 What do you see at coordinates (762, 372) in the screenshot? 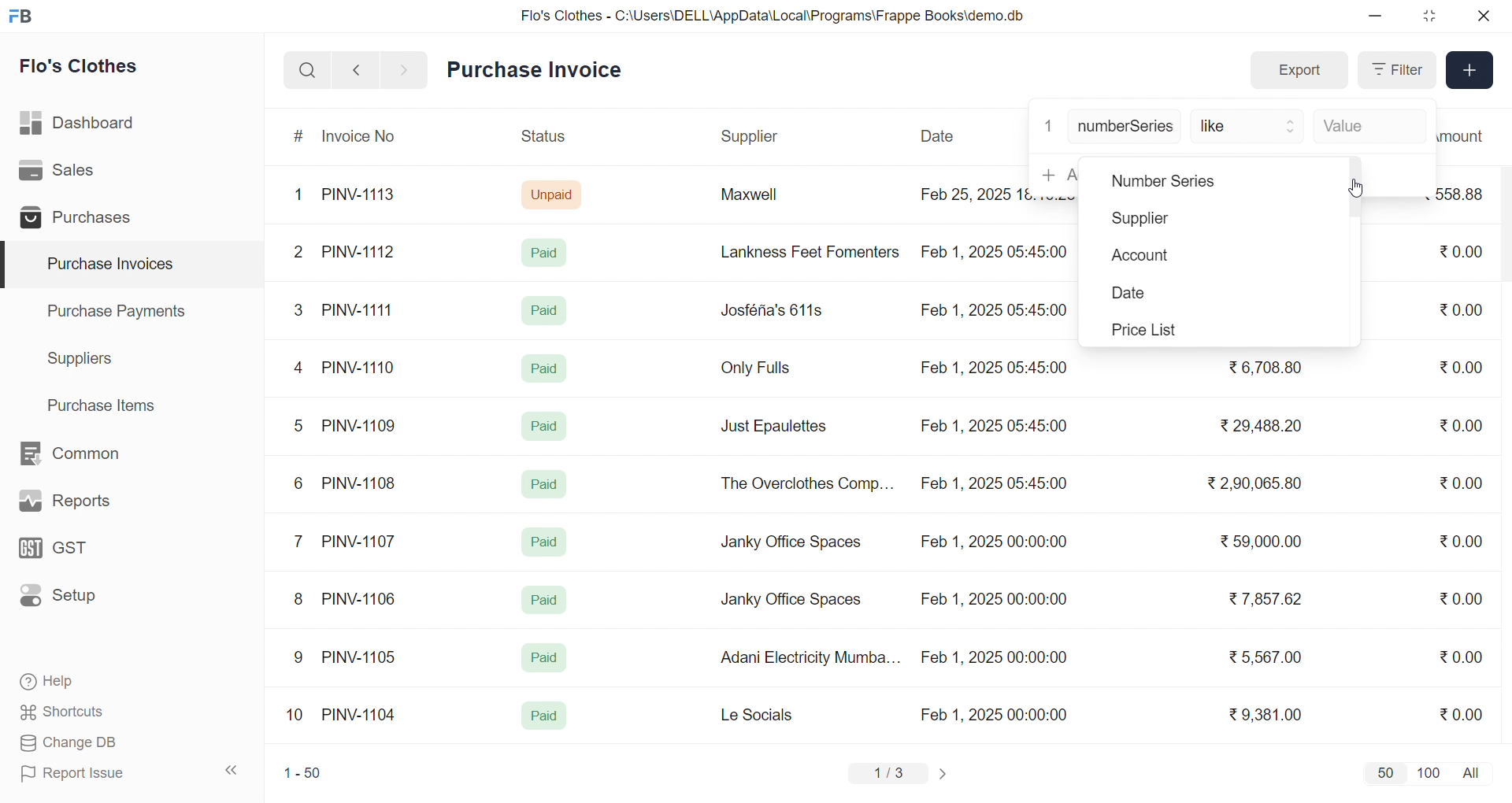
I see `Only Fulls` at bounding box center [762, 372].